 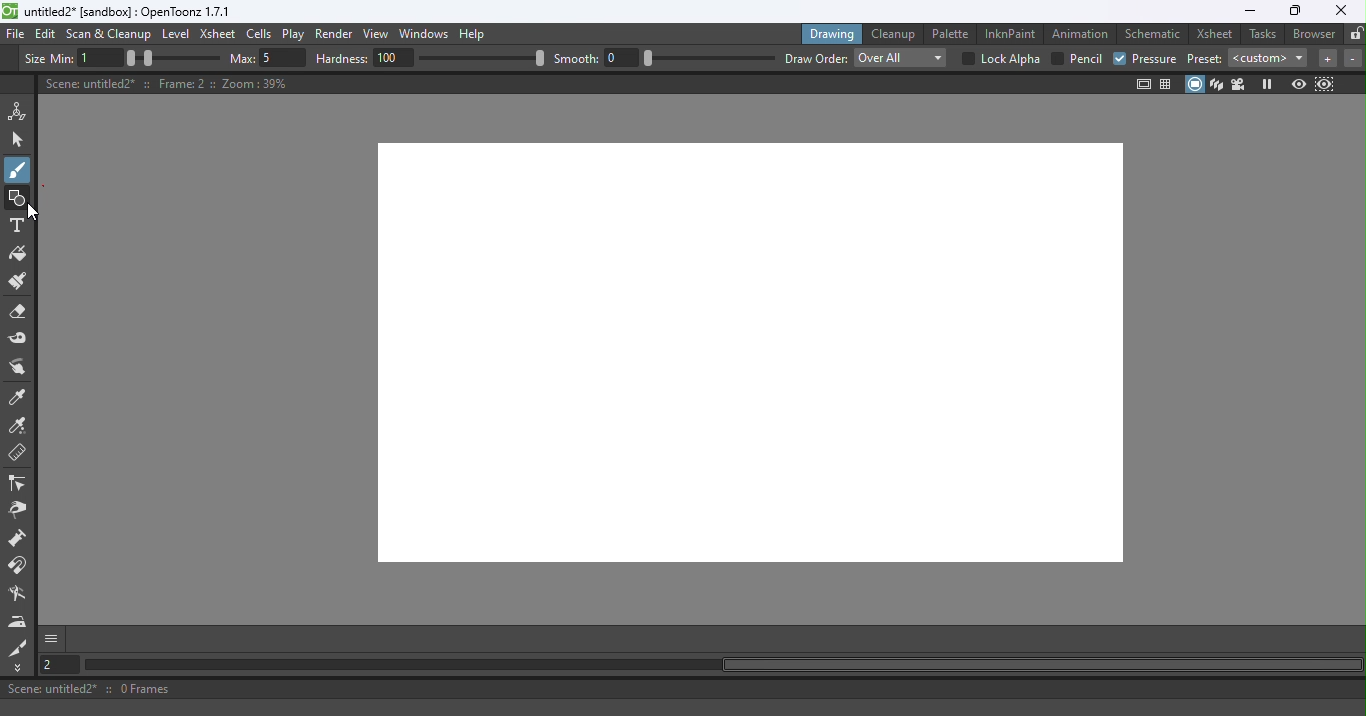 I want to click on Xsheet, so click(x=1217, y=33).